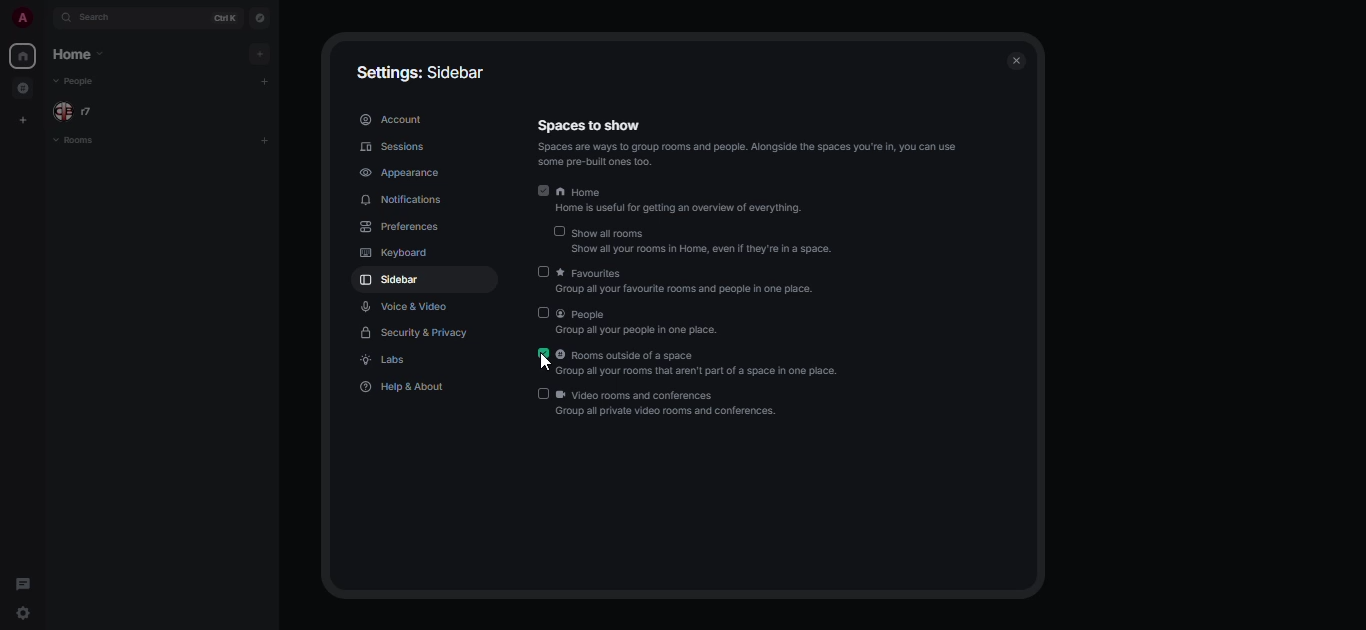 Image resolution: width=1366 pixels, height=630 pixels. Describe the element at coordinates (703, 364) in the screenshot. I see `rooms outside of a space` at that location.